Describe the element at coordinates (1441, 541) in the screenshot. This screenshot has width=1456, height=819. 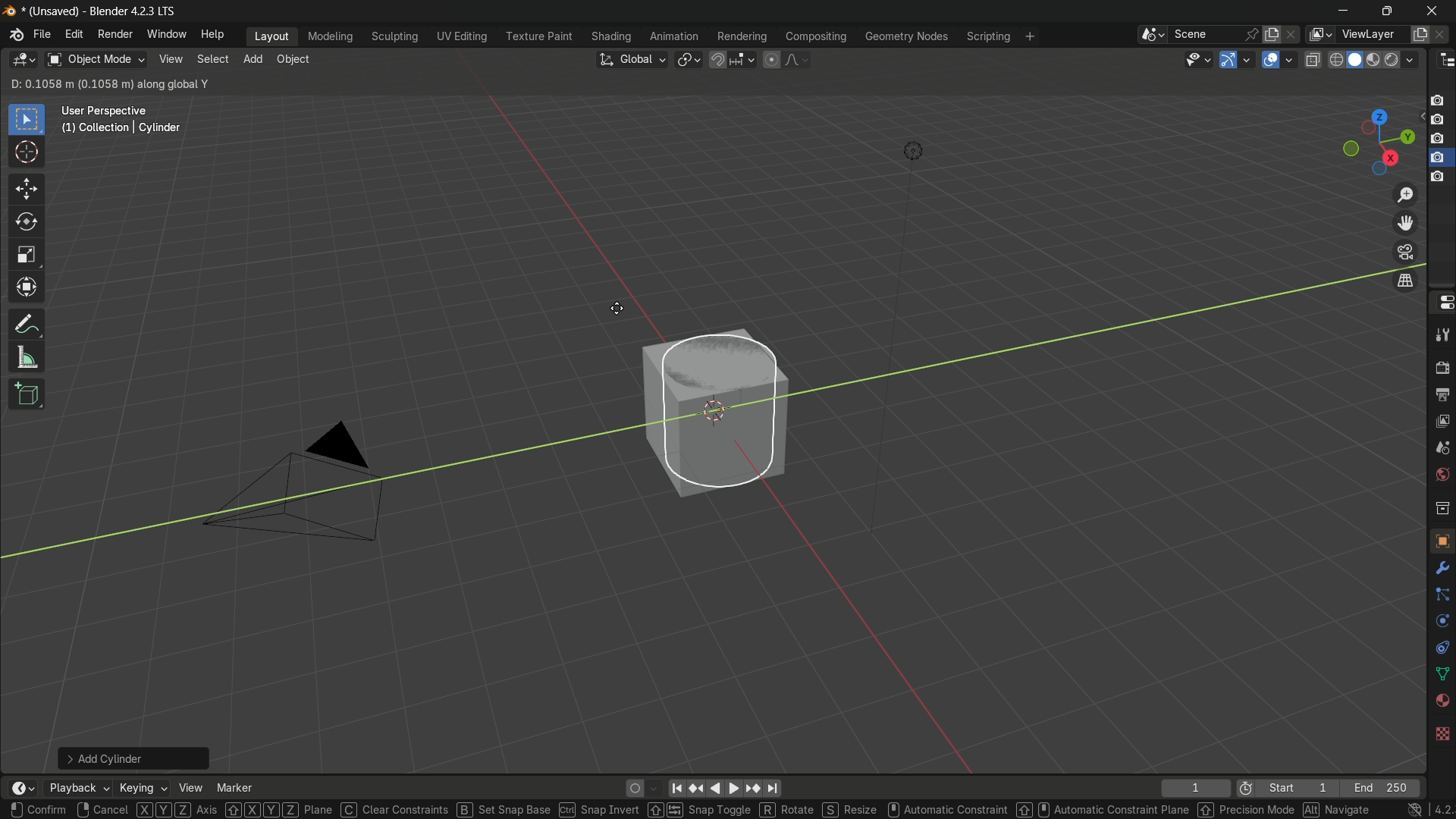
I see `texture` at that location.